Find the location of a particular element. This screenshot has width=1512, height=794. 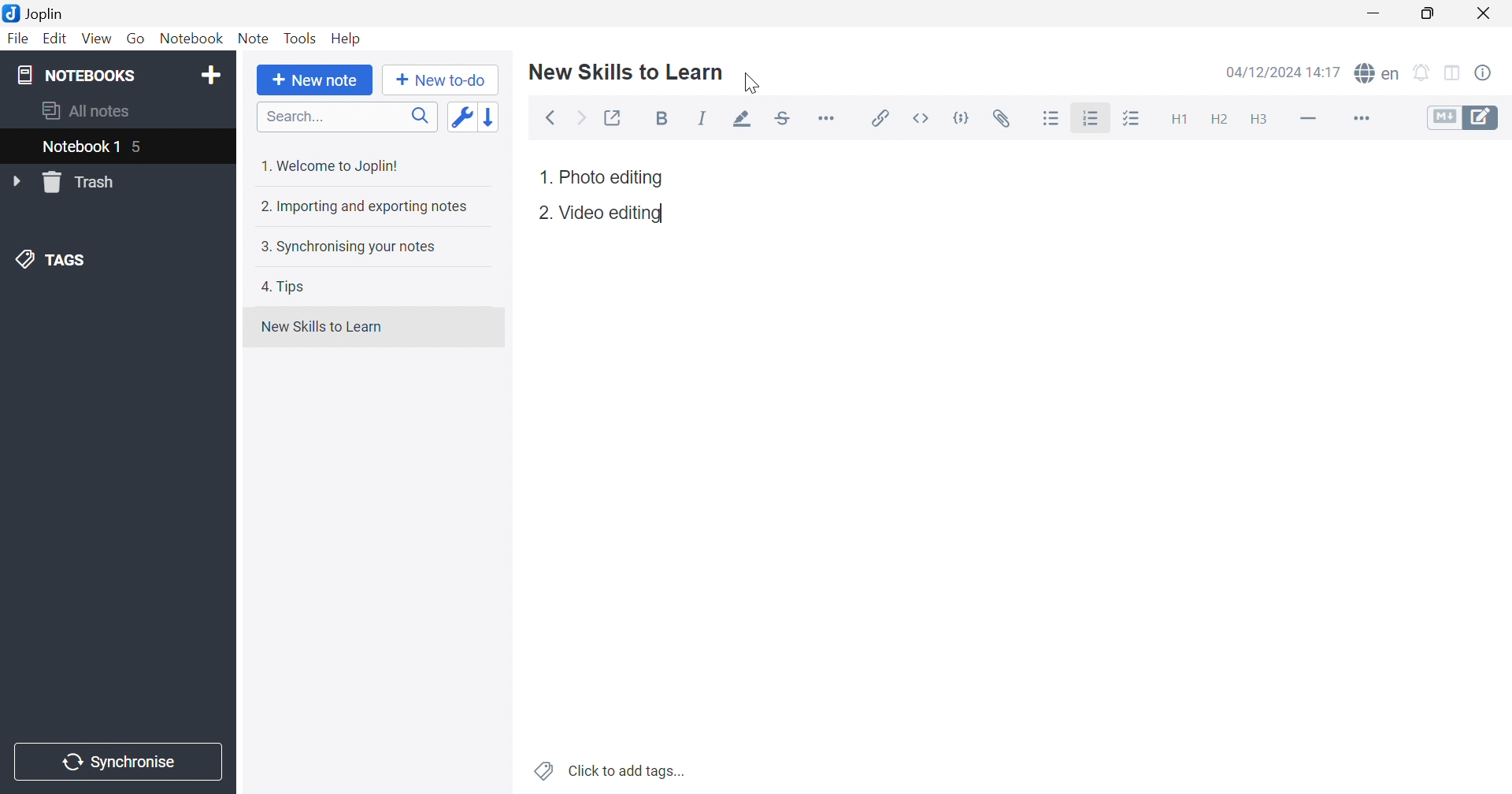

1. is located at coordinates (546, 177).